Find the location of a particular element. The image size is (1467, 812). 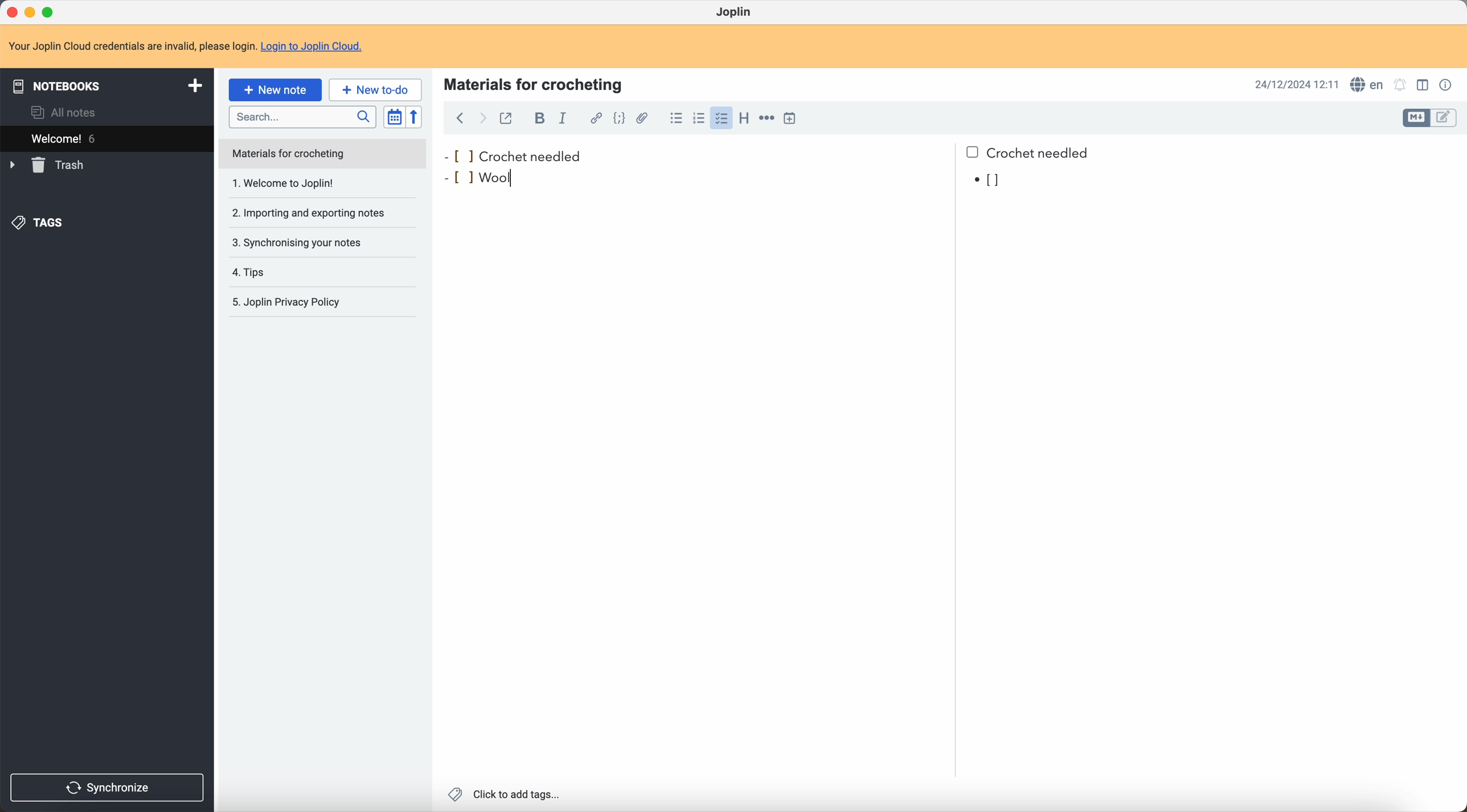

materials for crocheting is located at coordinates (535, 83).